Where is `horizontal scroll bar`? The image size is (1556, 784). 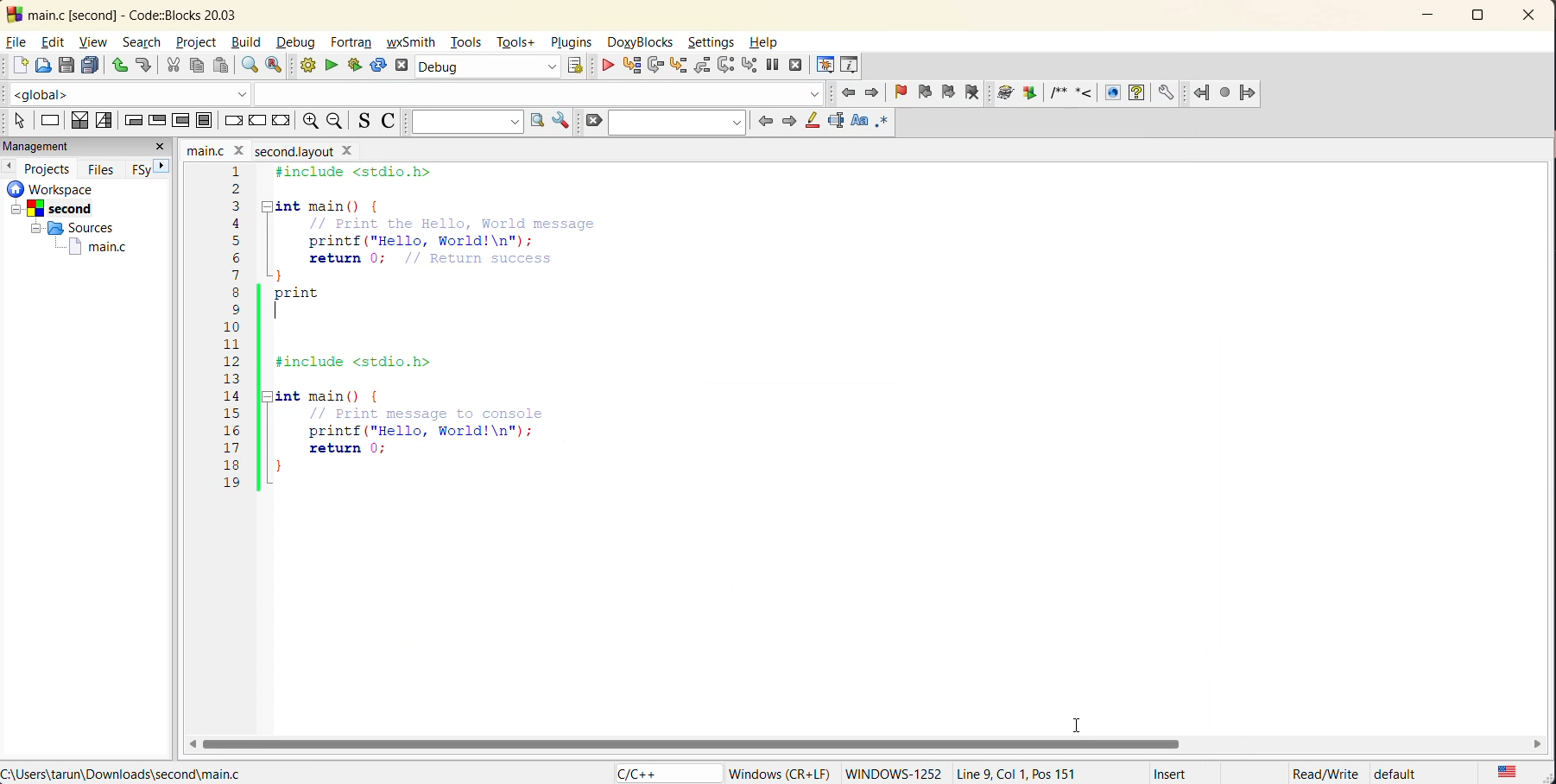
horizontal scroll bar is located at coordinates (717, 742).